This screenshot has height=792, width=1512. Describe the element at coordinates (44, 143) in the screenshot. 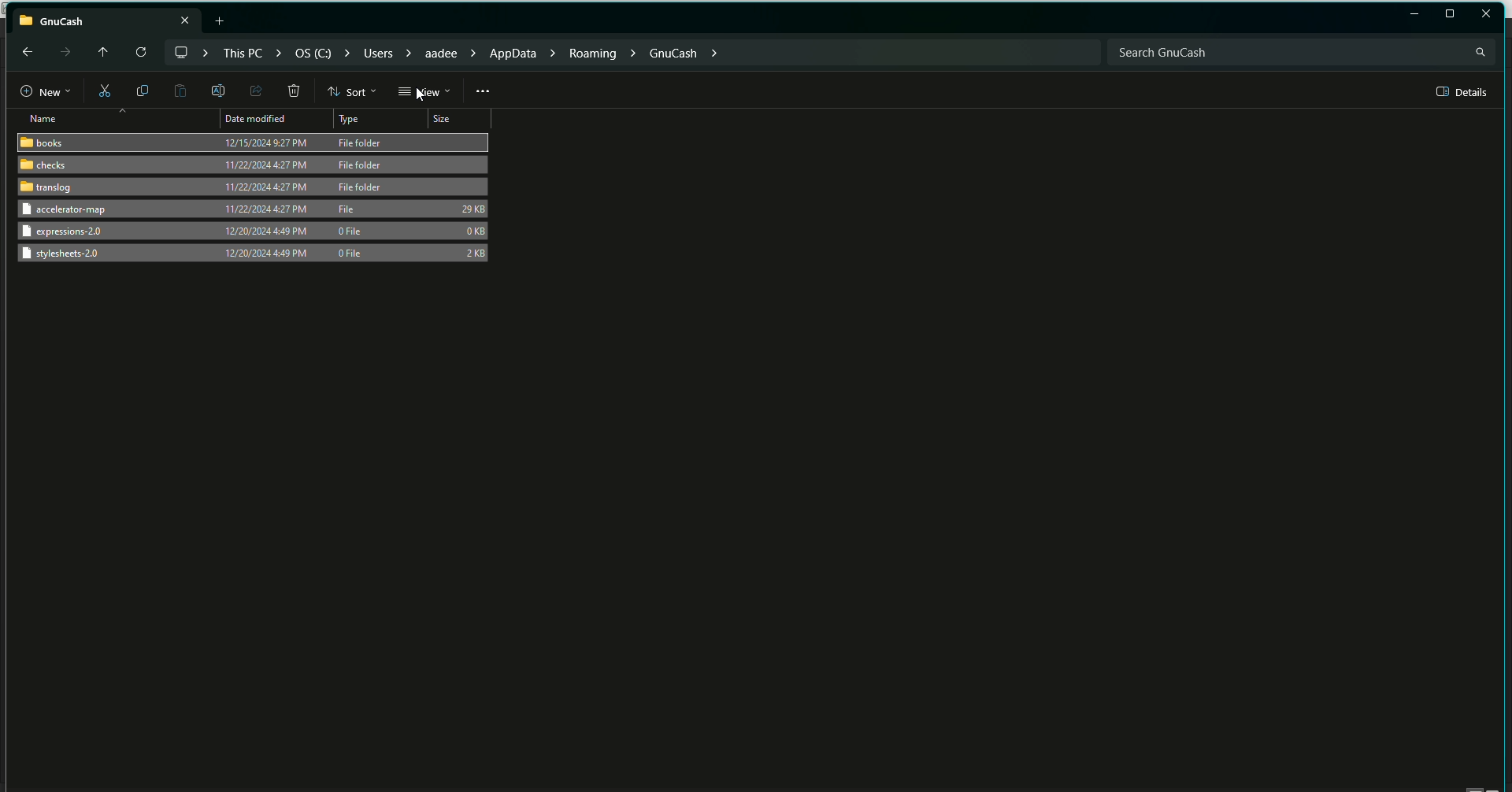

I see `books` at that location.